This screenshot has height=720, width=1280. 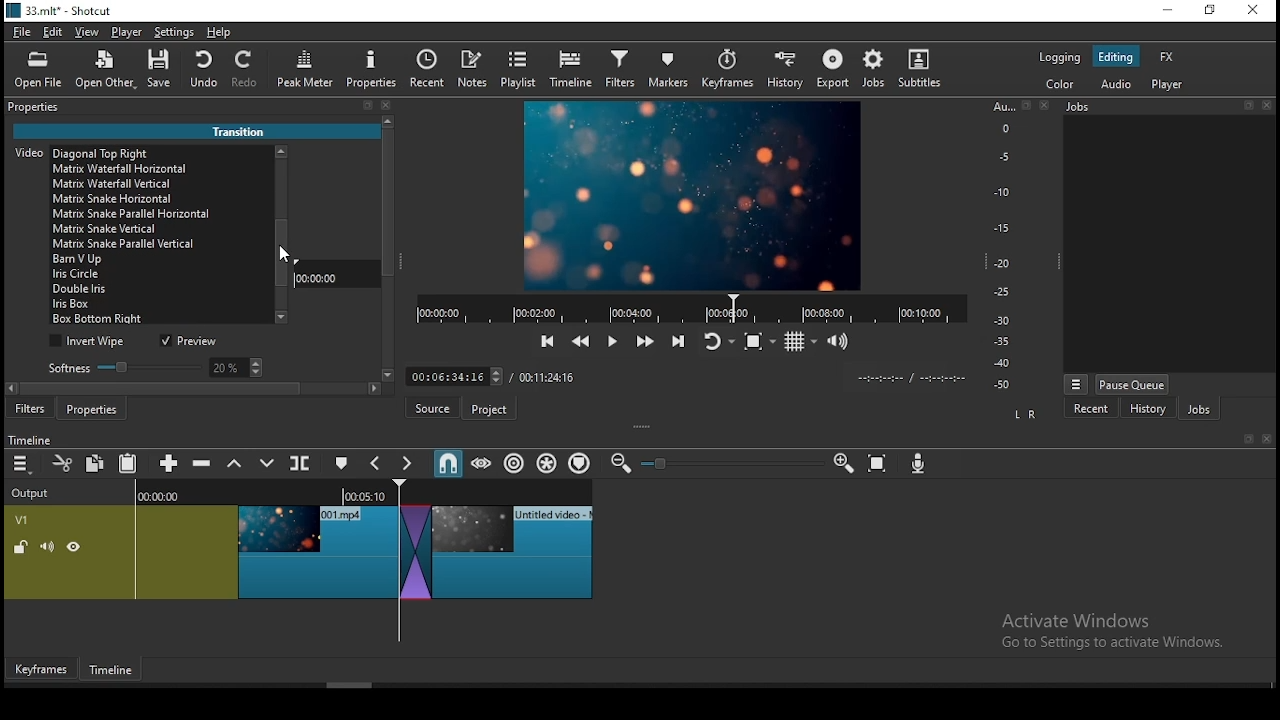 I want to click on edit, so click(x=54, y=34).